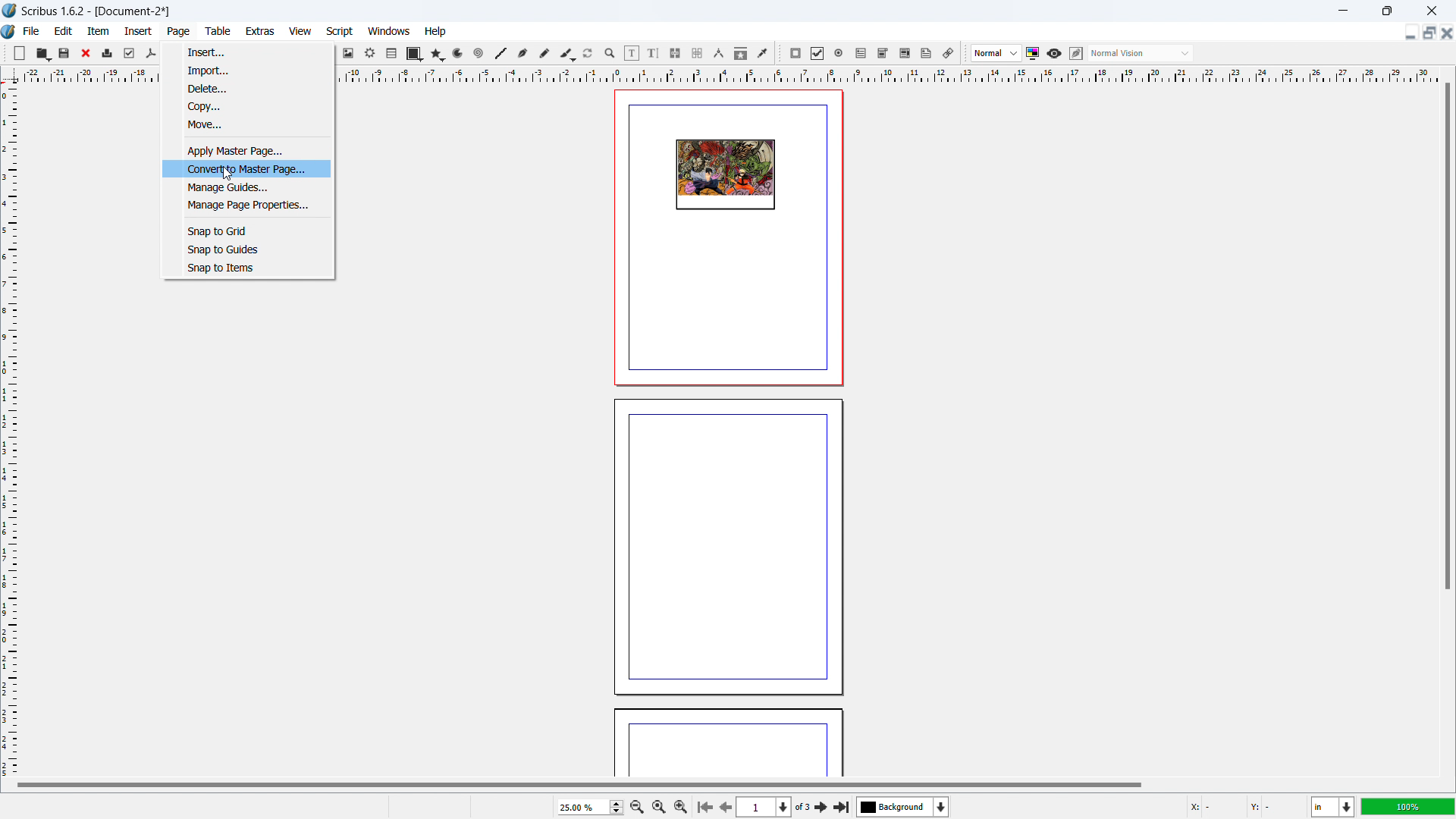  What do you see at coordinates (681, 805) in the screenshot?
I see `zoom in by the stepping value in tool preference` at bounding box center [681, 805].